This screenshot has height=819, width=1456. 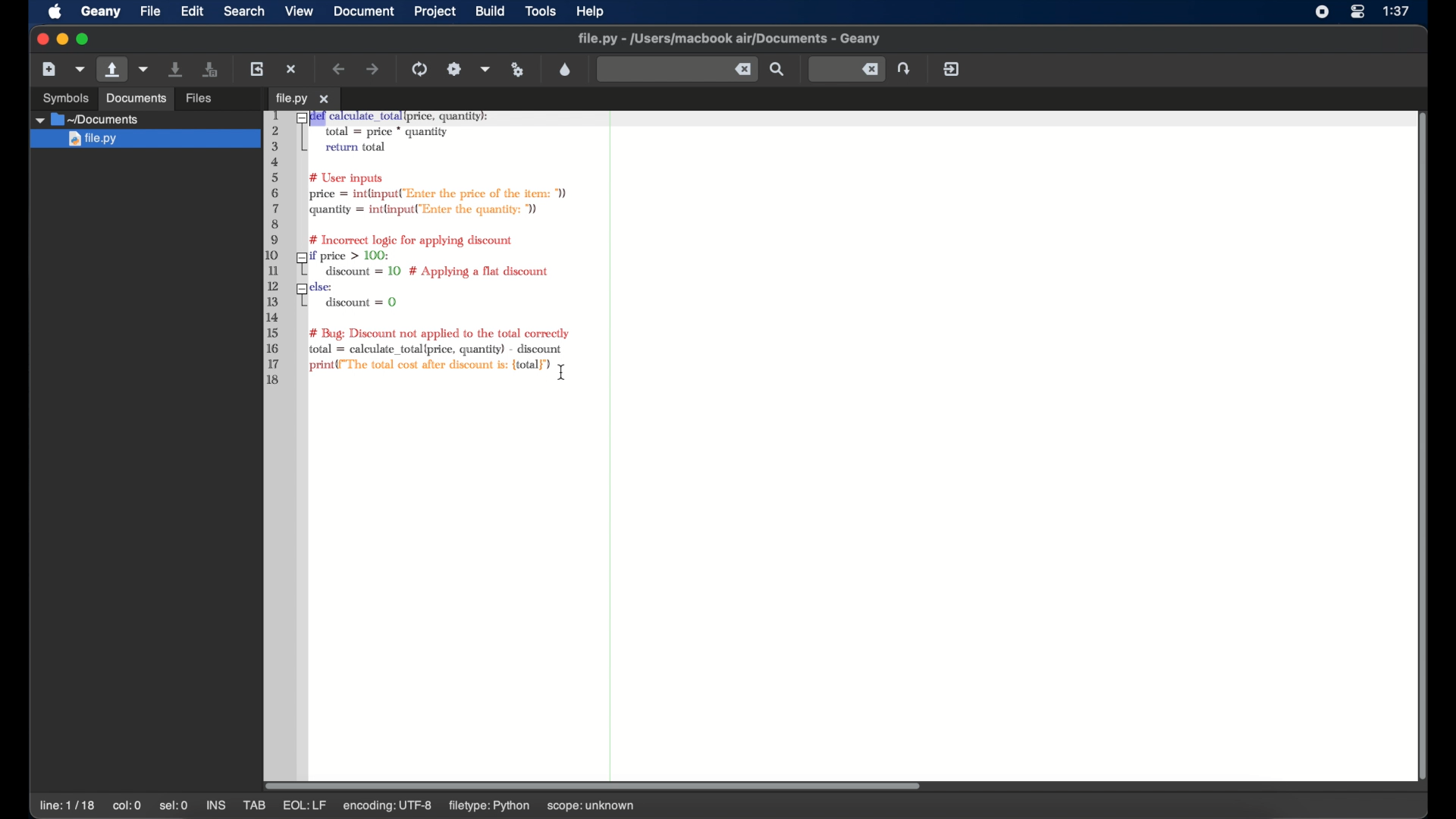 I want to click on compile the current file, so click(x=420, y=68).